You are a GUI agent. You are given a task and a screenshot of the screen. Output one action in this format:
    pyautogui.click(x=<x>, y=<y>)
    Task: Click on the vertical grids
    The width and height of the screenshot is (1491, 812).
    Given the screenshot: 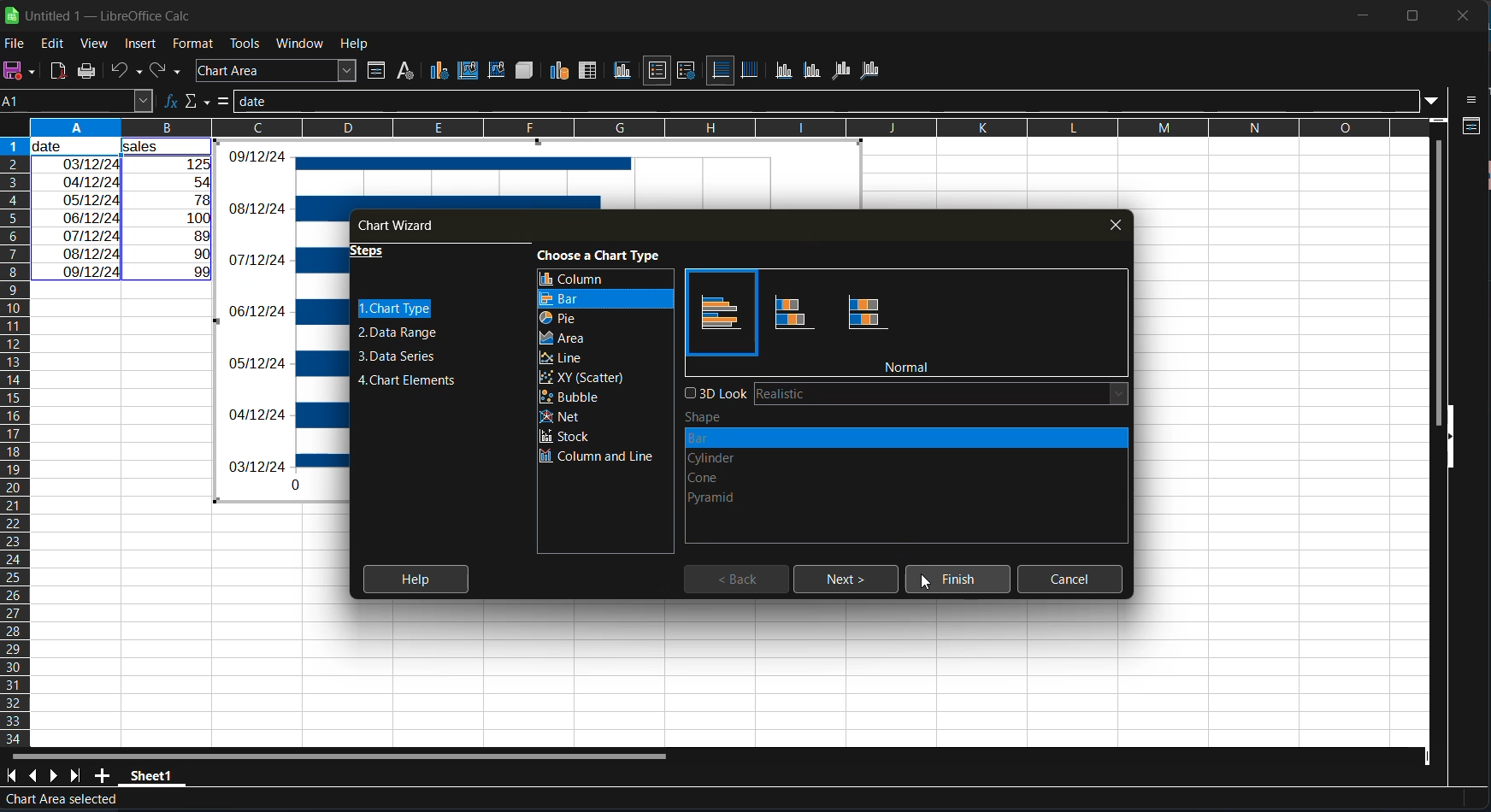 What is the action you would take?
    pyautogui.click(x=751, y=70)
    